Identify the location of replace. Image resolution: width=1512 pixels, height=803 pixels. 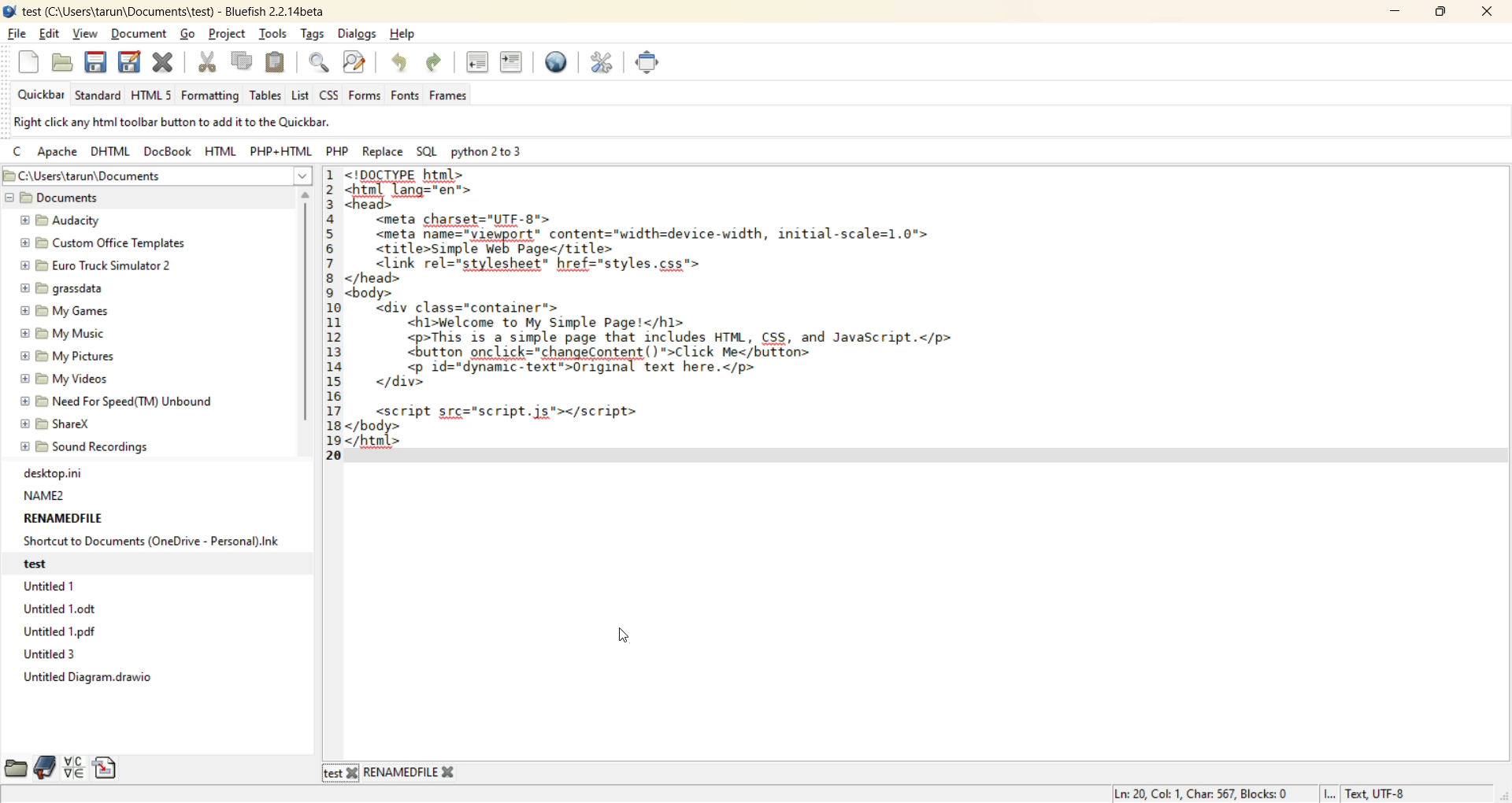
(384, 151).